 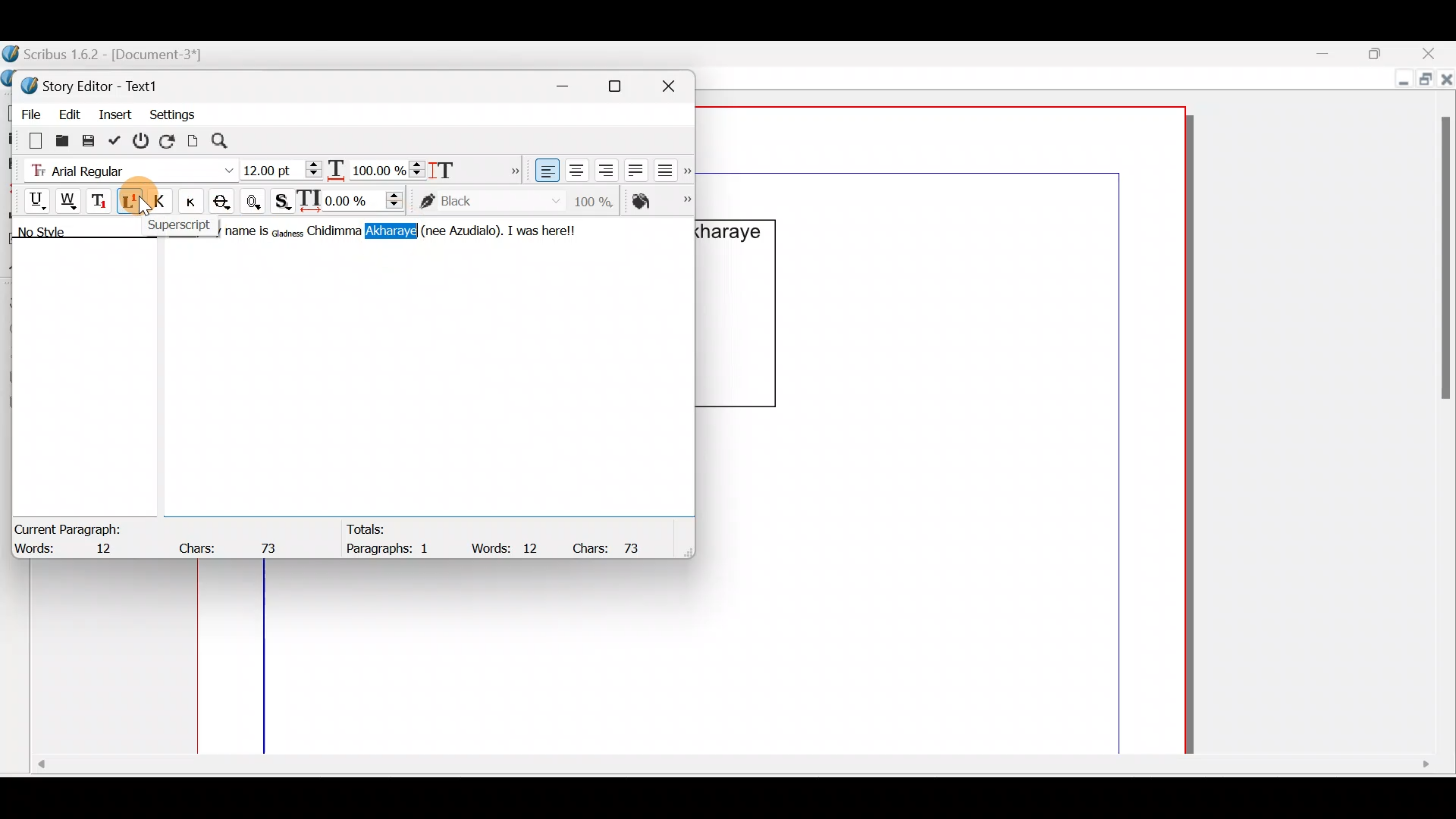 I want to click on Cursor, so click(x=134, y=201).